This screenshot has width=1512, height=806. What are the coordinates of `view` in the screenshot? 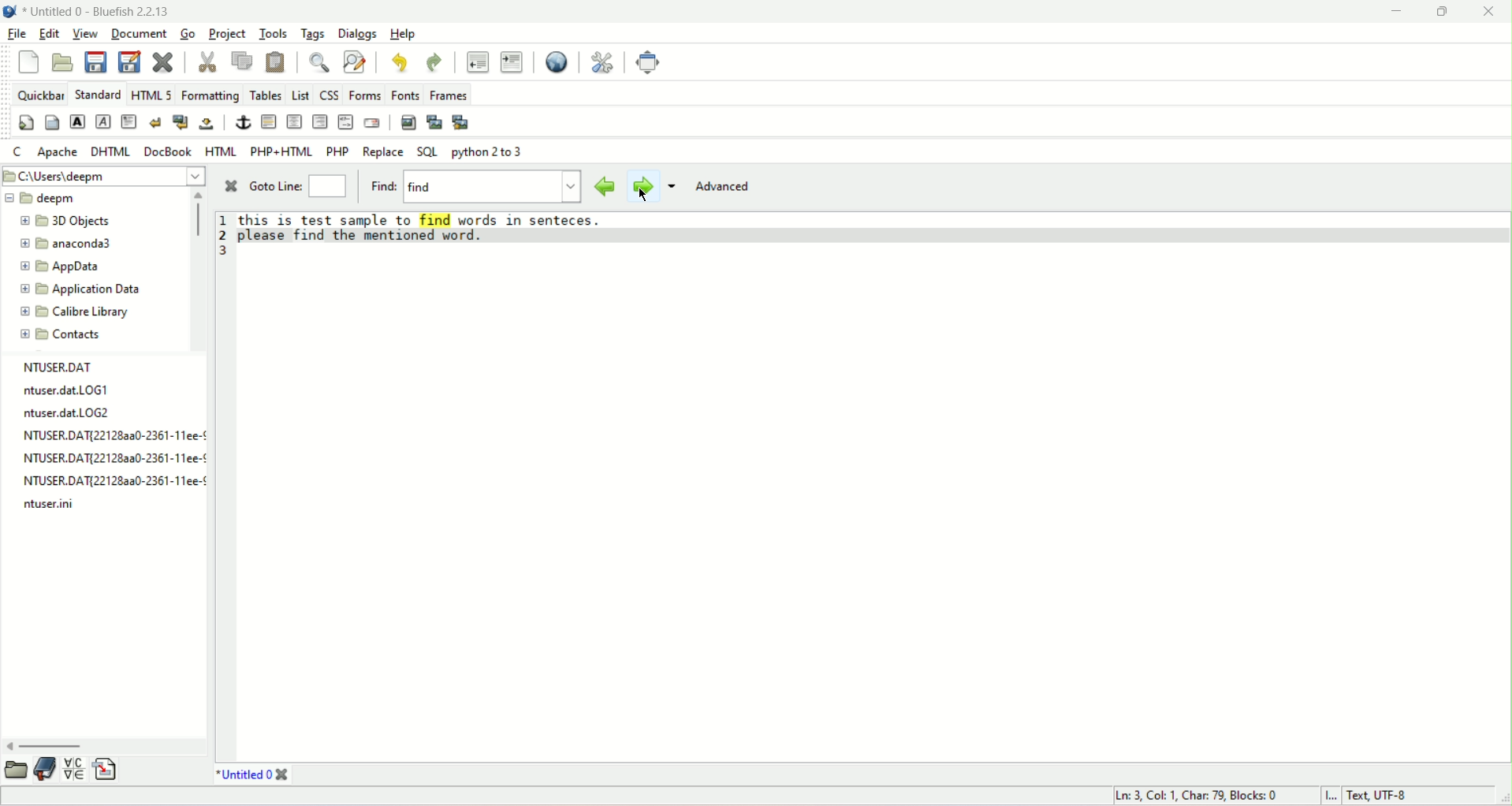 It's located at (86, 33).